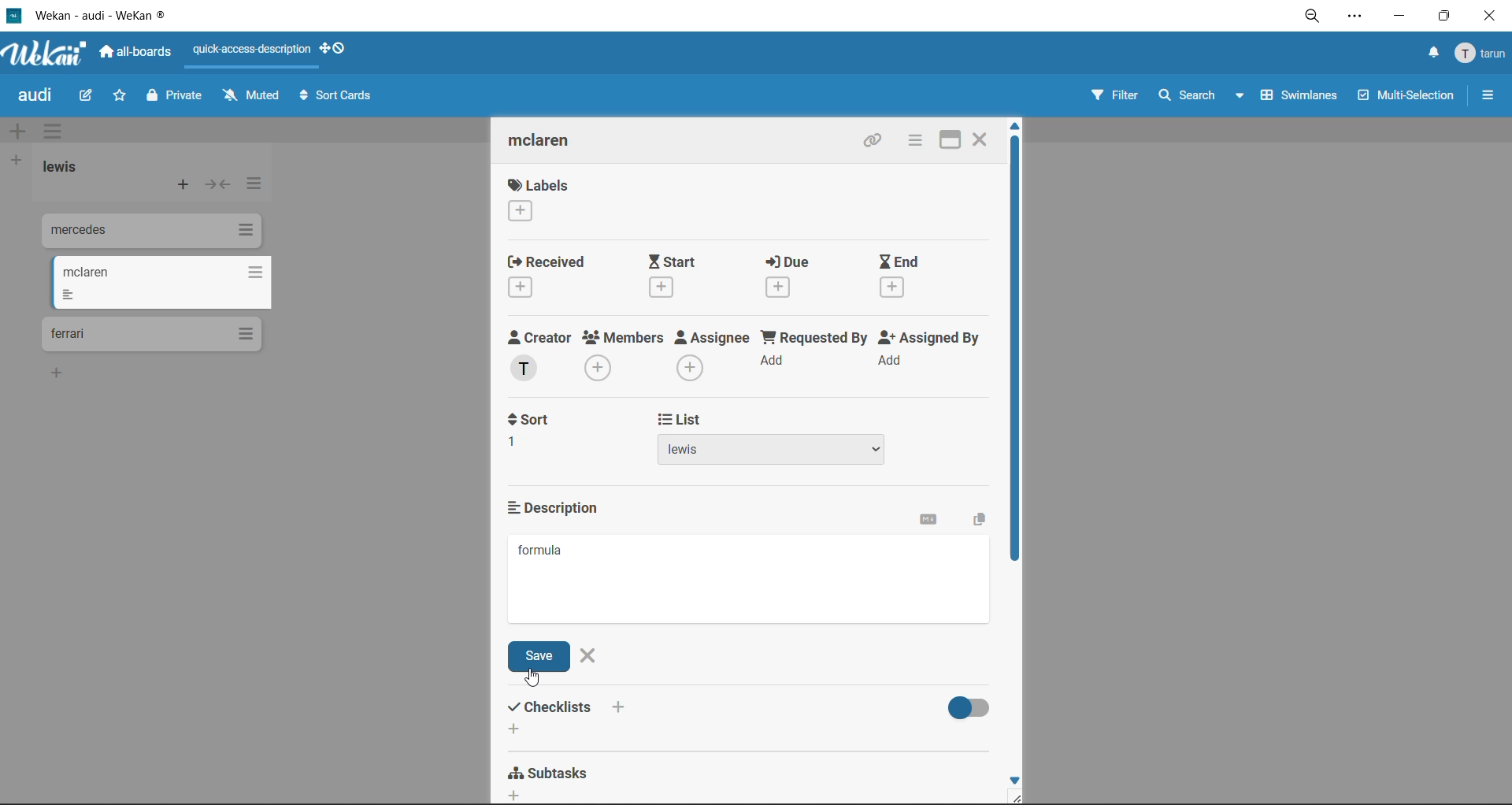  Describe the element at coordinates (713, 355) in the screenshot. I see `assignee` at that location.